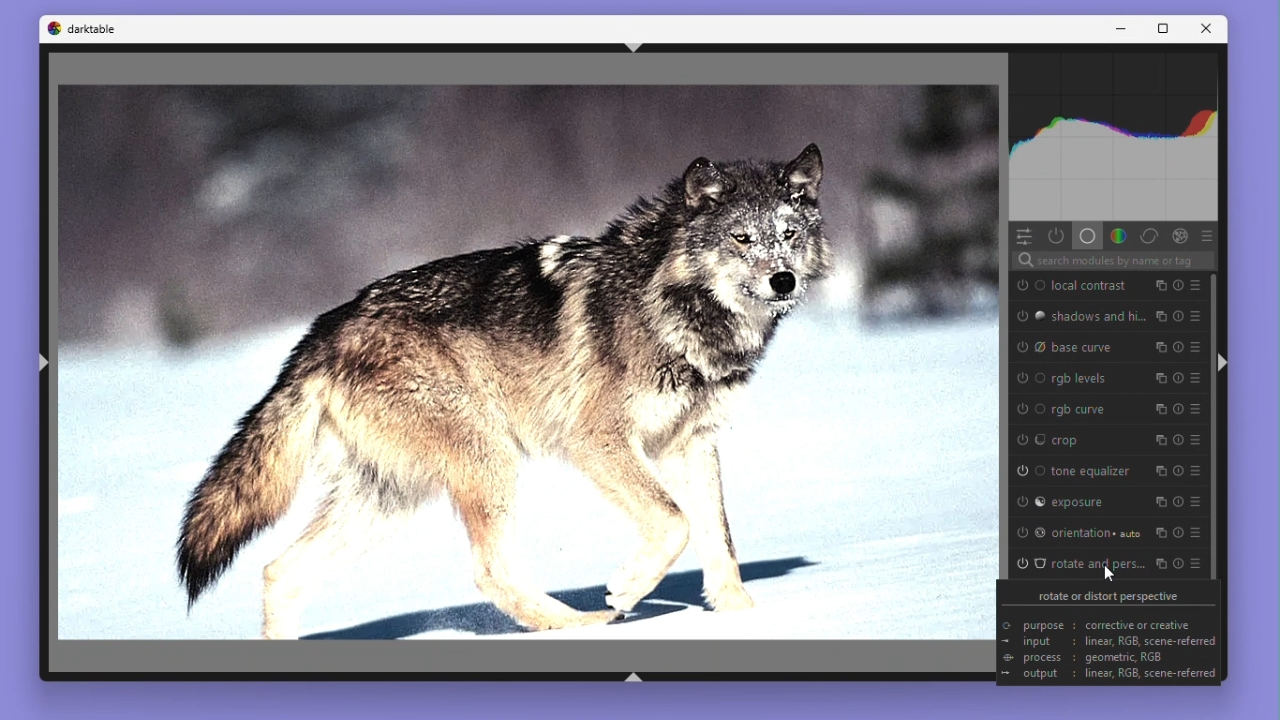 This screenshot has width=1280, height=720. I want to click on Shadows And highlights, so click(1108, 314).